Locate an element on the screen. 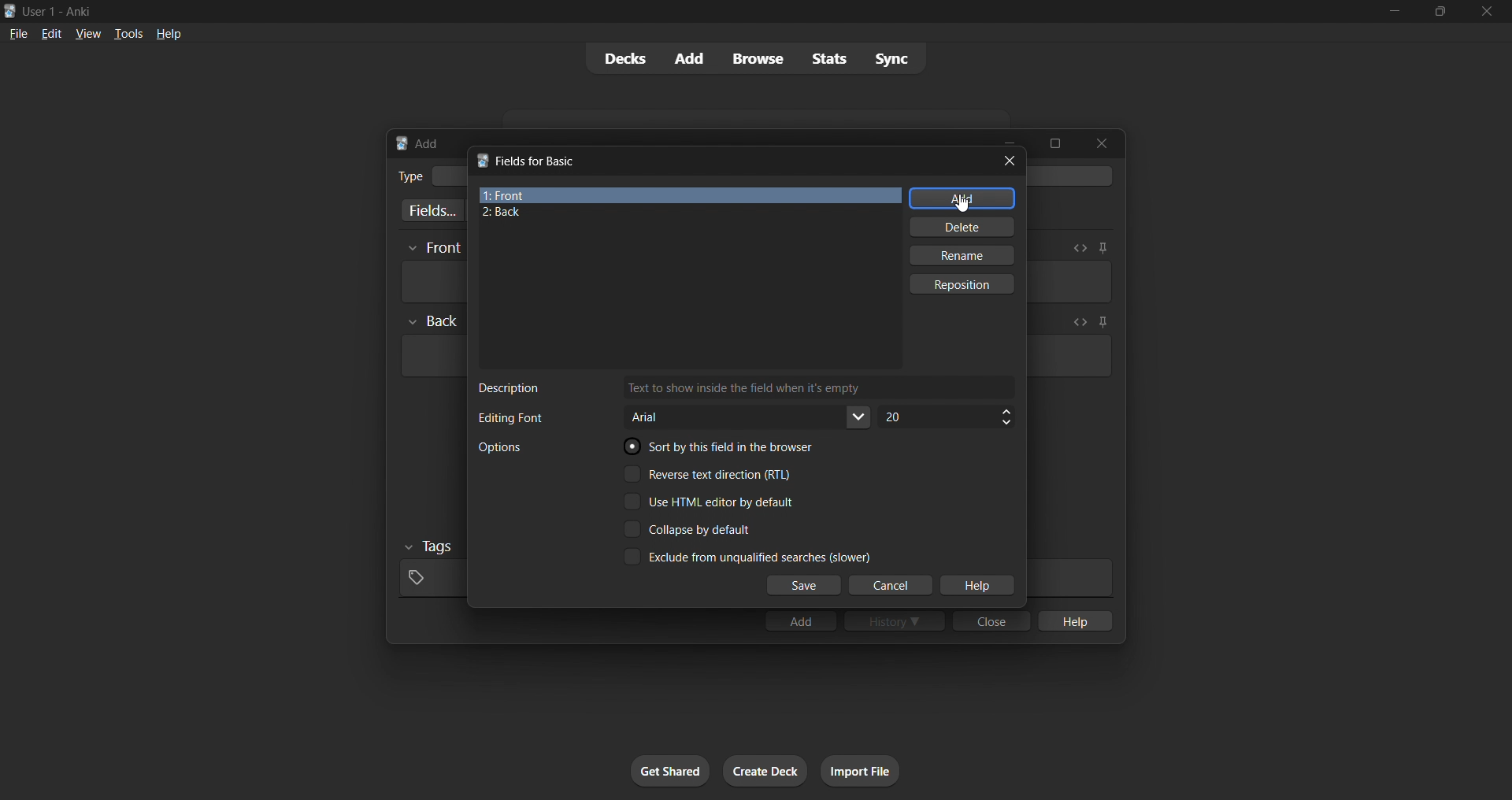 The height and width of the screenshot is (800, 1512). close is located at coordinates (991, 620).